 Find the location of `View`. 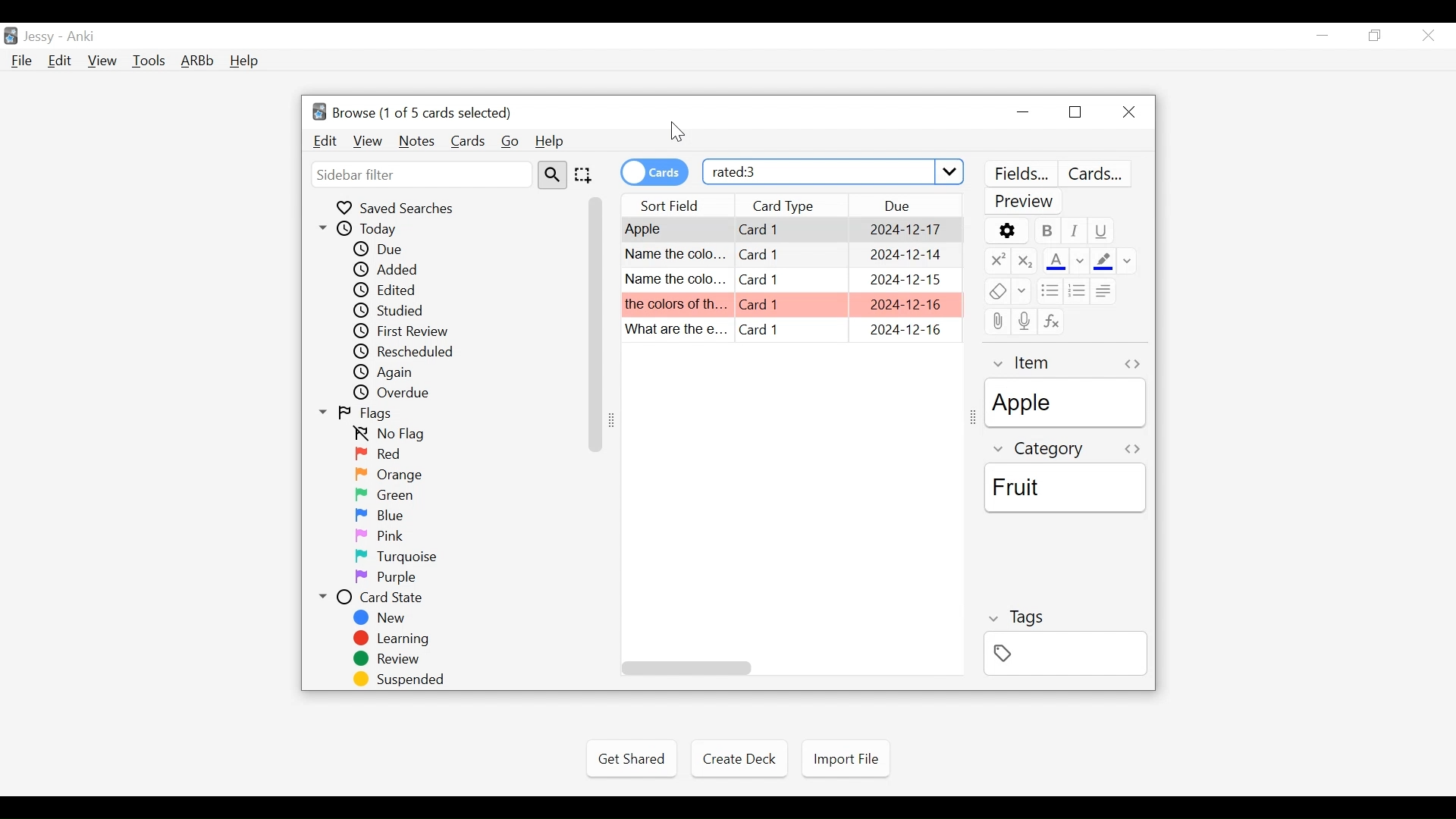

View is located at coordinates (103, 61).